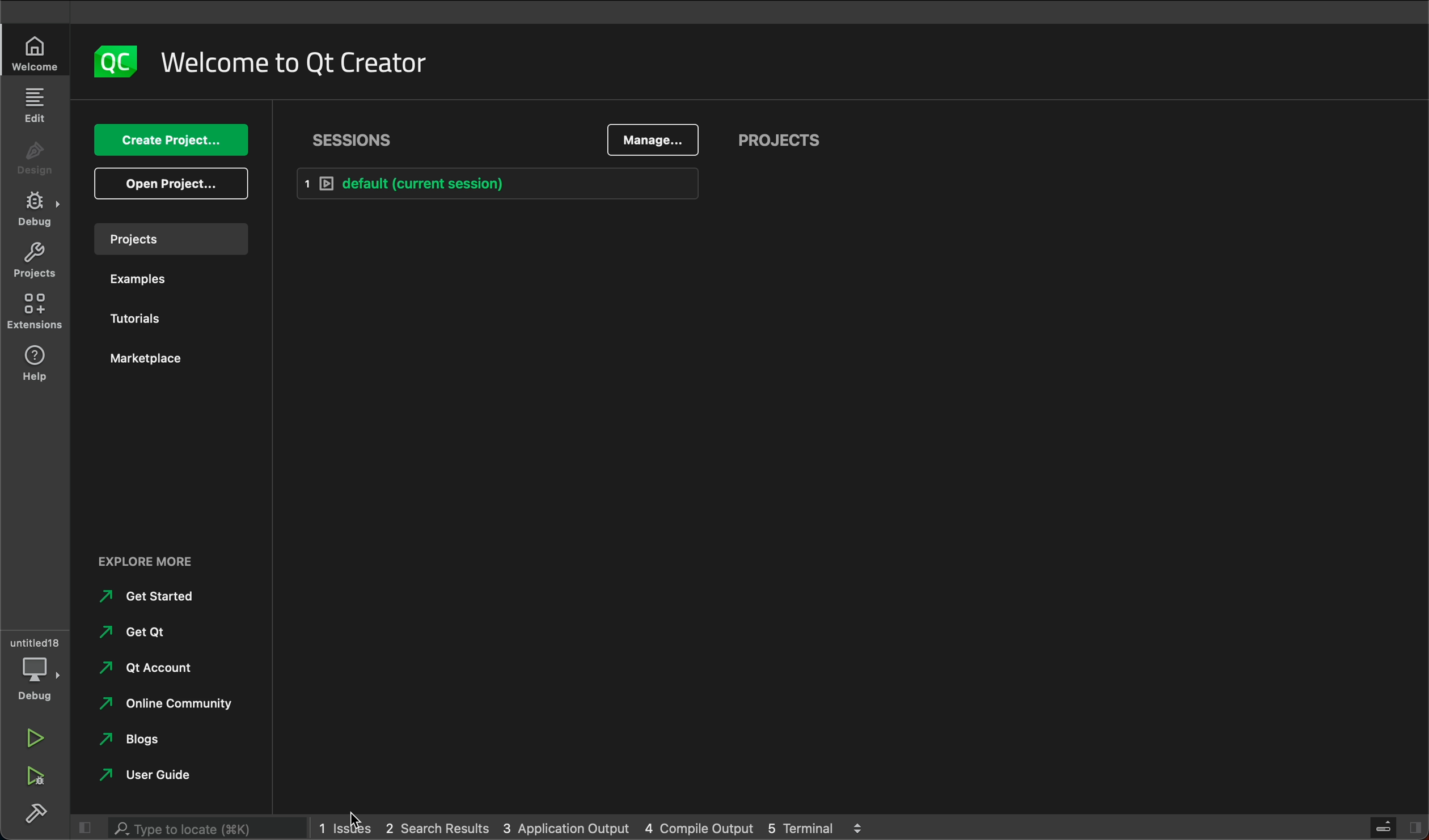  I want to click on untitled, so click(31, 645).